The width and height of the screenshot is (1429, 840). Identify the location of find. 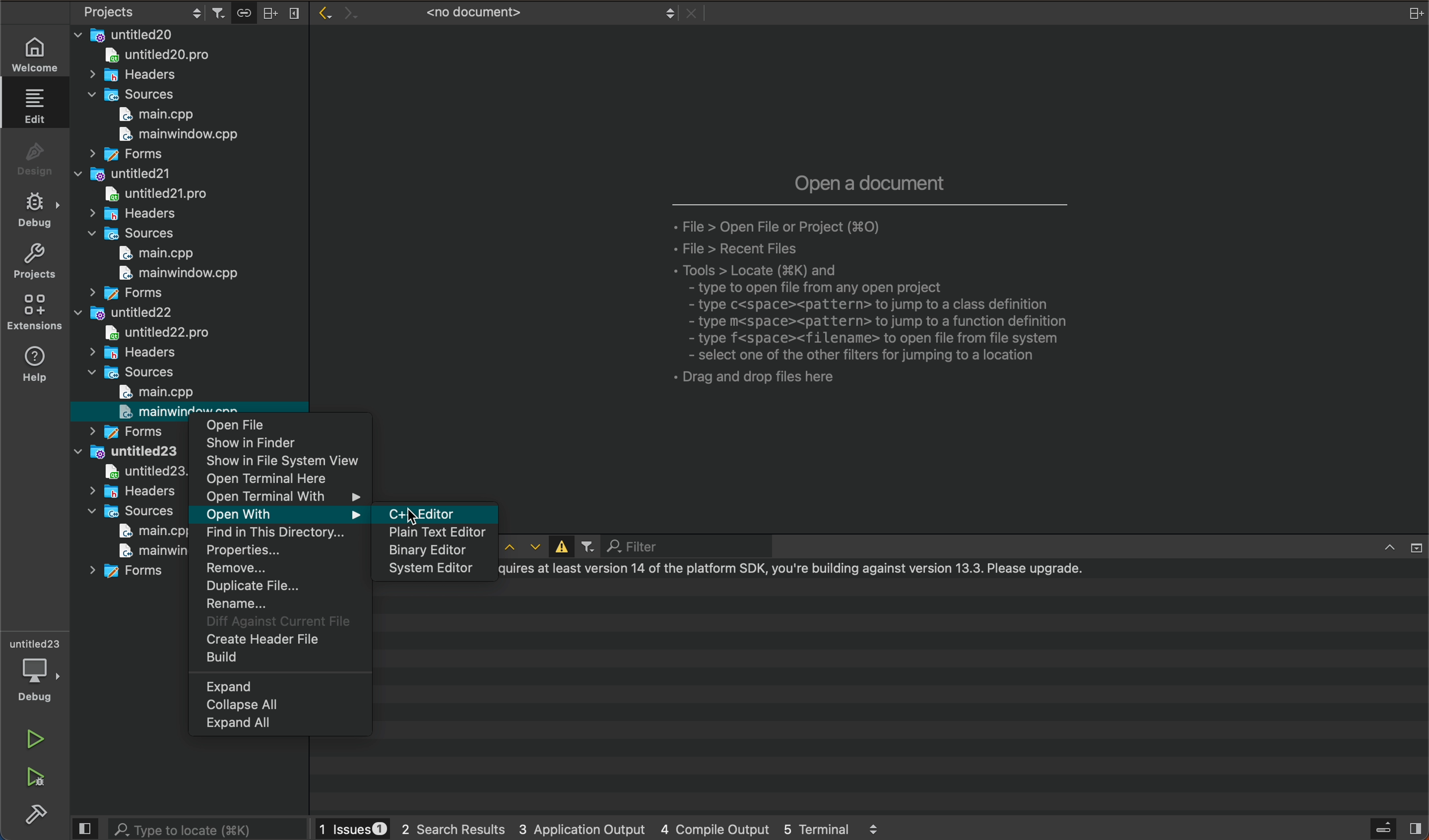
(280, 533).